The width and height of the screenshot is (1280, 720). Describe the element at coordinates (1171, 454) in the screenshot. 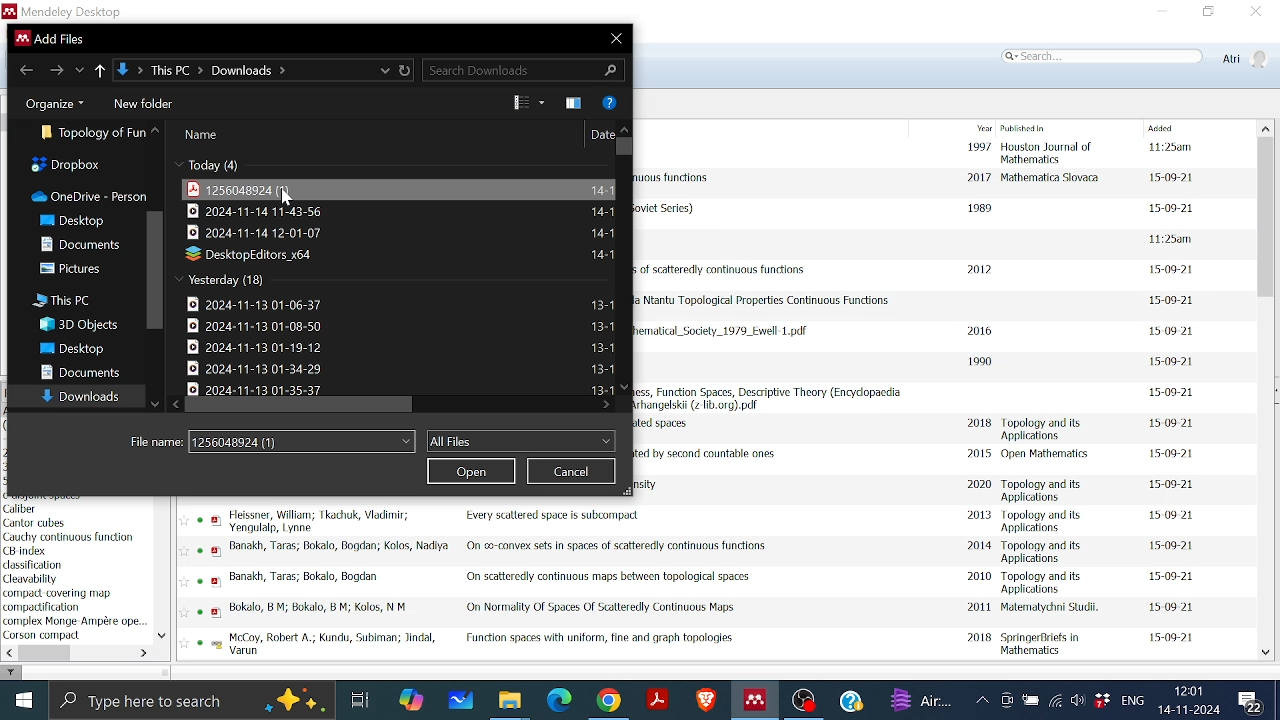

I see `date` at that location.